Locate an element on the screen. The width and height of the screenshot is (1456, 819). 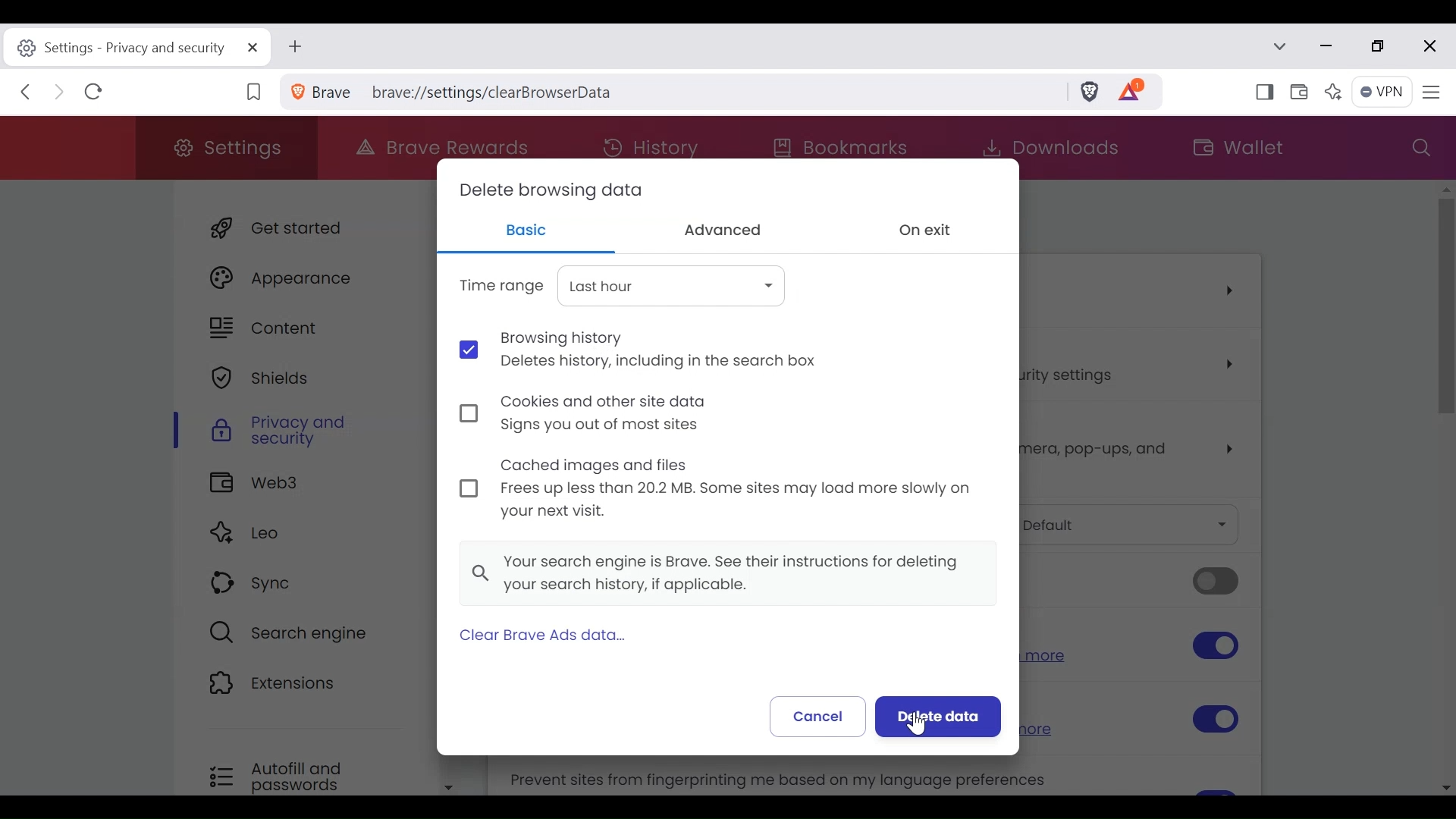
Basic is located at coordinates (535, 231).